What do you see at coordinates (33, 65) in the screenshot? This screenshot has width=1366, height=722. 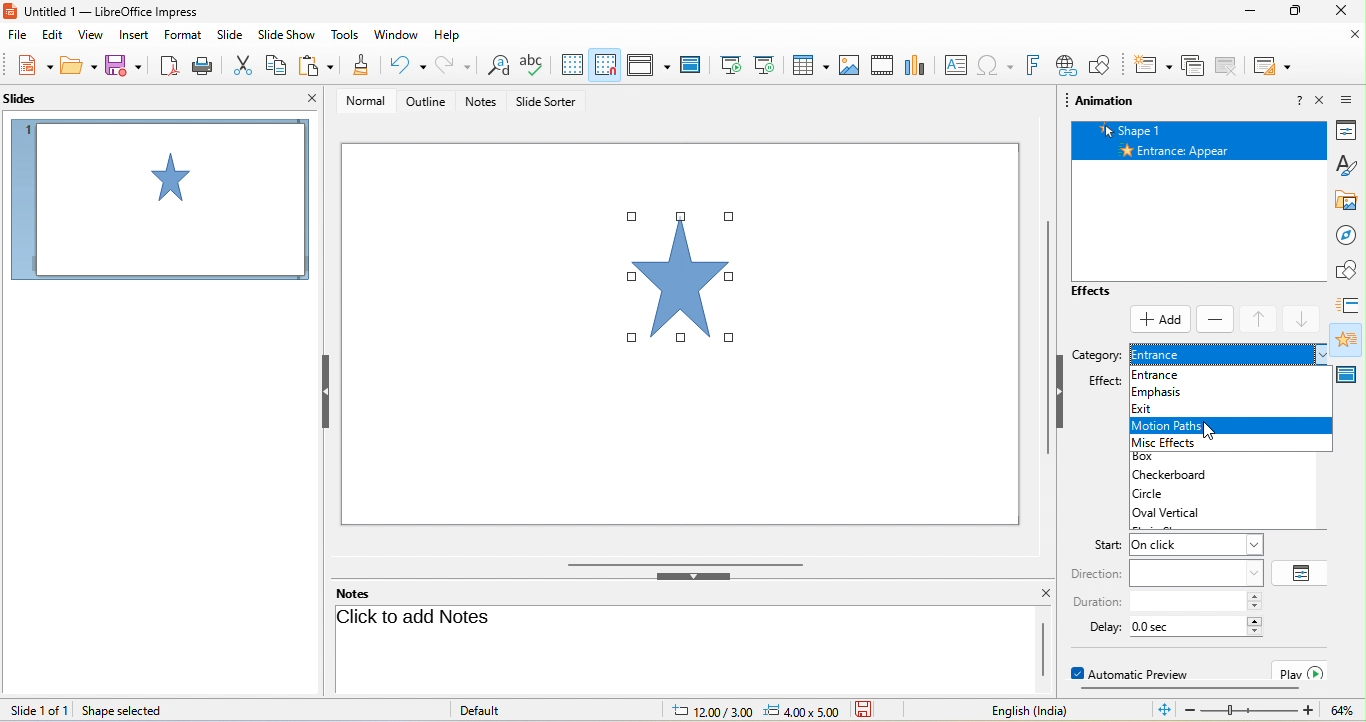 I see `new` at bounding box center [33, 65].